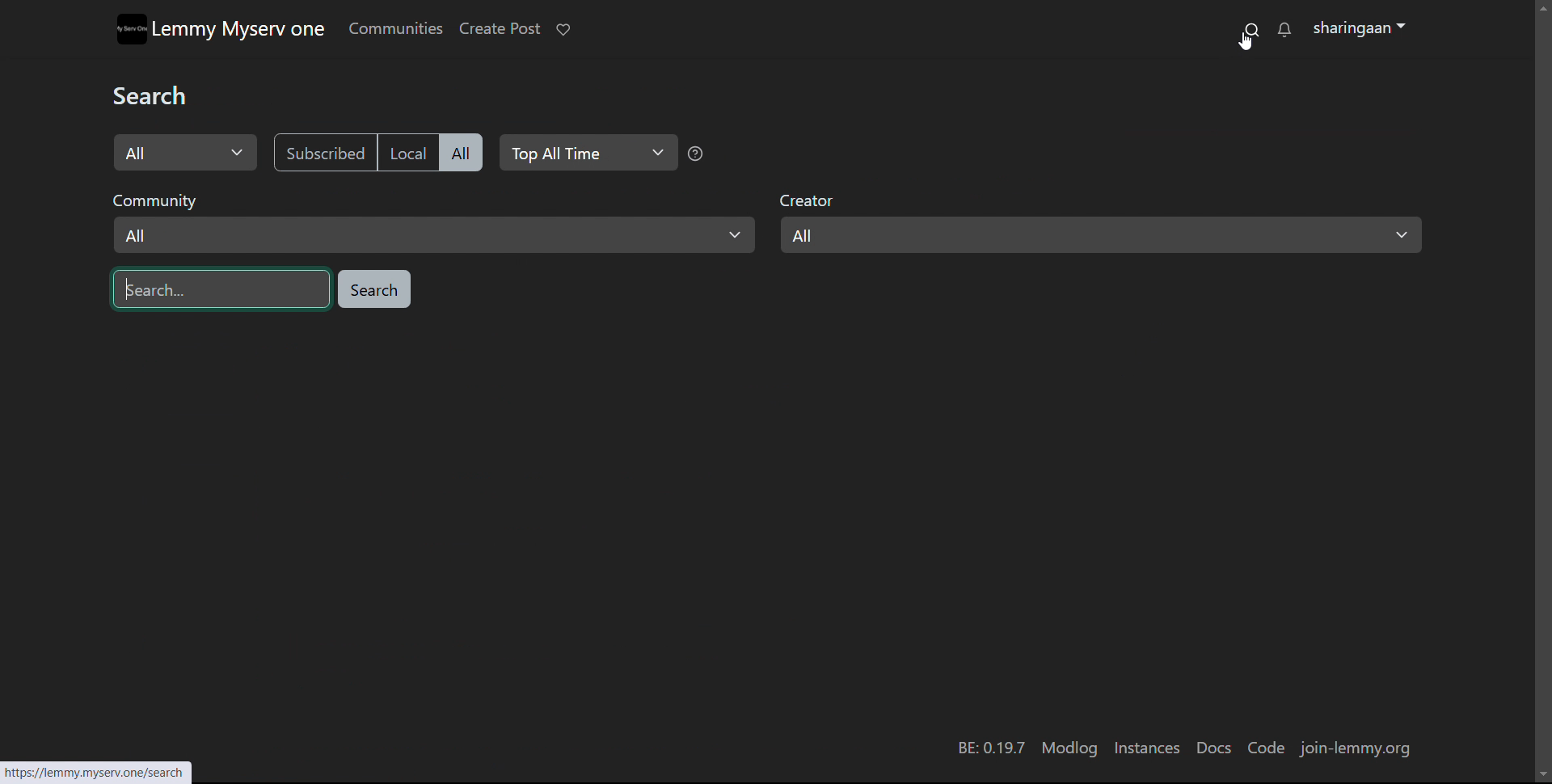 This screenshot has height=784, width=1552. What do you see at coordinates (221, 289) in the screenshot?
I see `enter search string` at bounding box center [221, 289].